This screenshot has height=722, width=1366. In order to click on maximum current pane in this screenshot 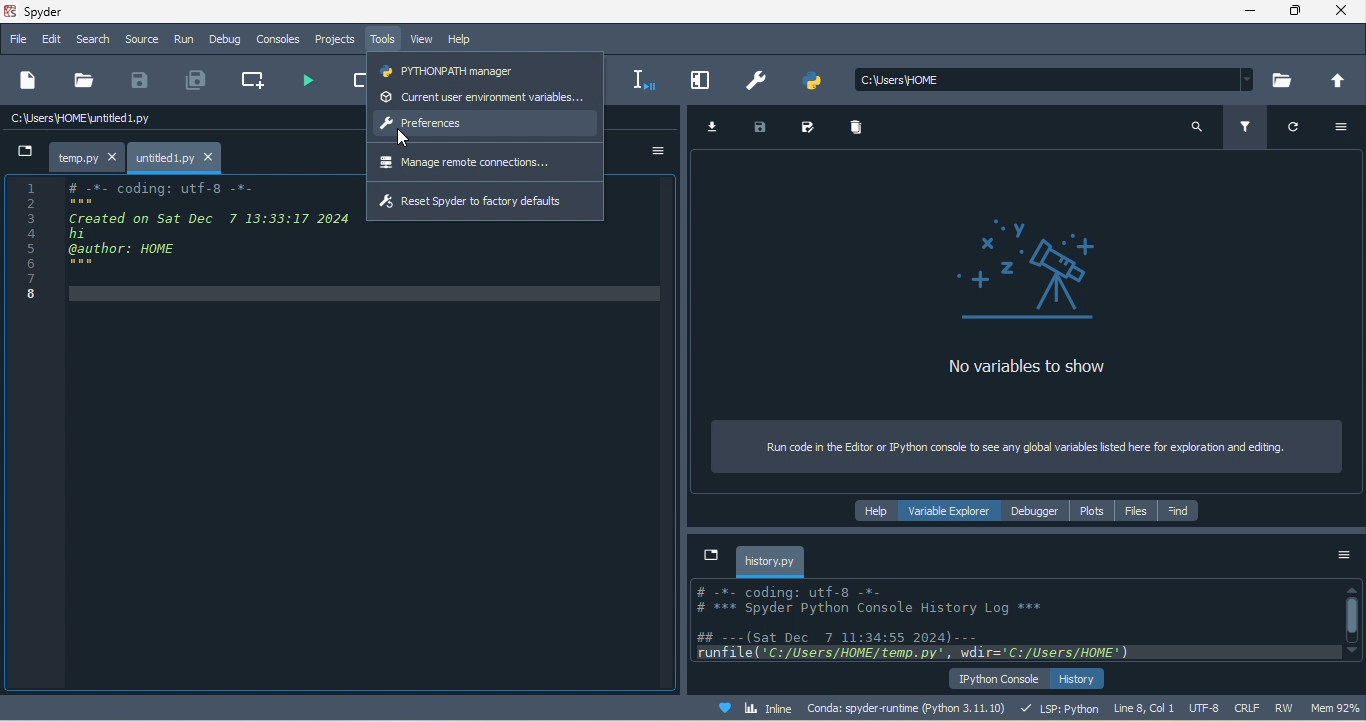, I will do `click(704, 80)`.